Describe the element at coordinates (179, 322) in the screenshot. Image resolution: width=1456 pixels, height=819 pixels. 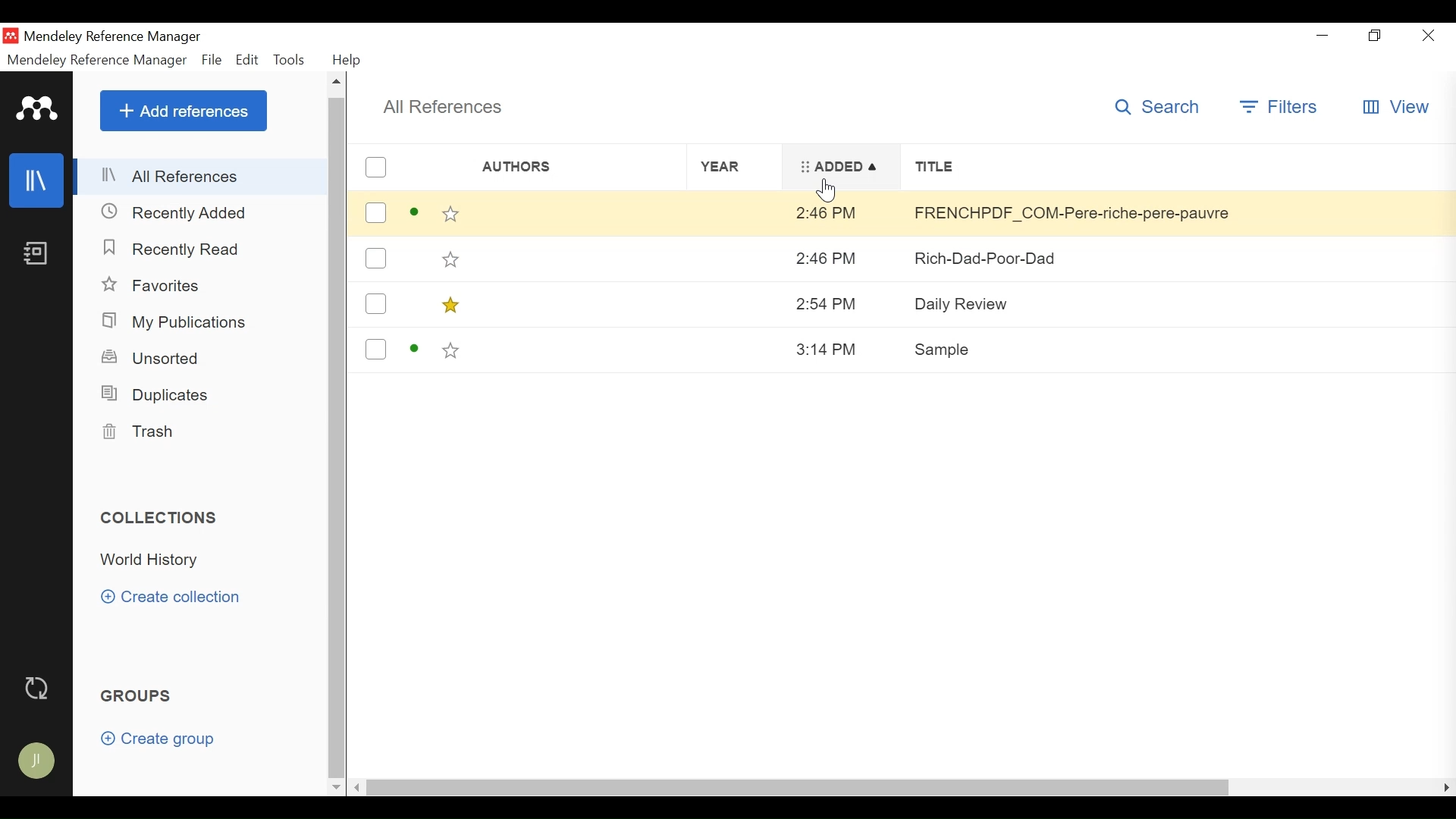
I see `My Publications` at that location.